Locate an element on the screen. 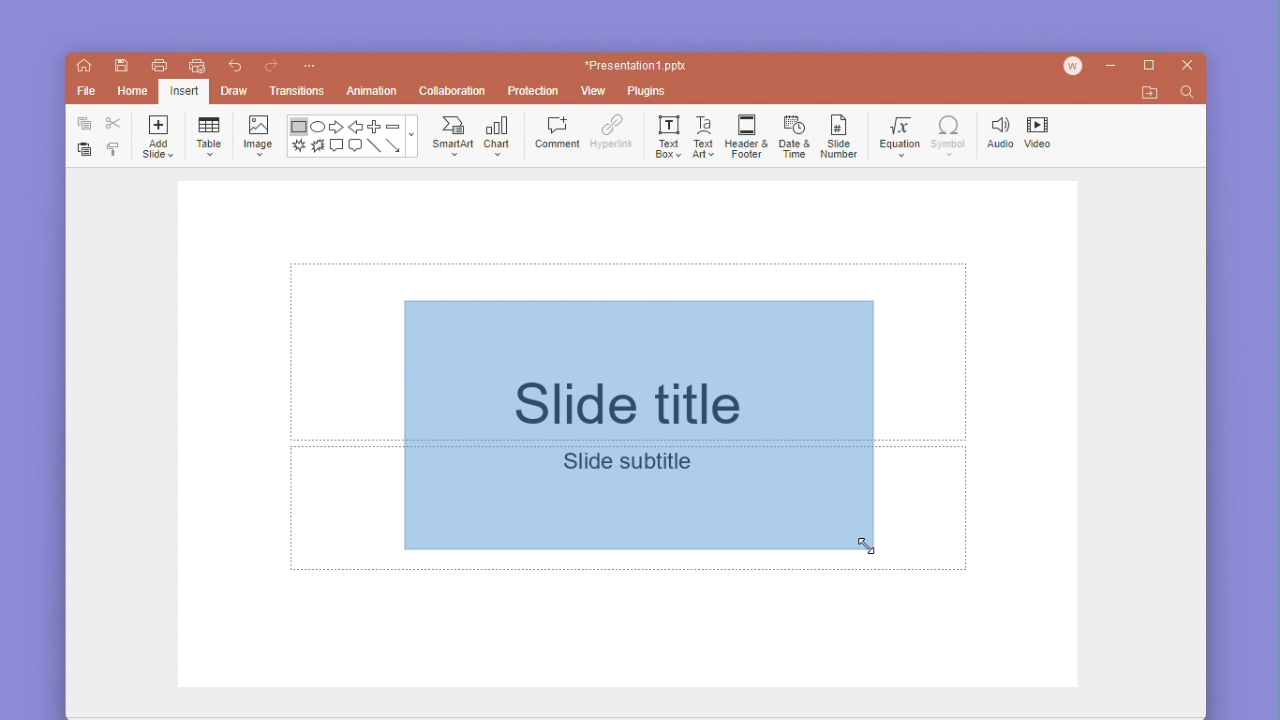 The image size is (1280, 720). comment text box is located at coordinates (336, 146).